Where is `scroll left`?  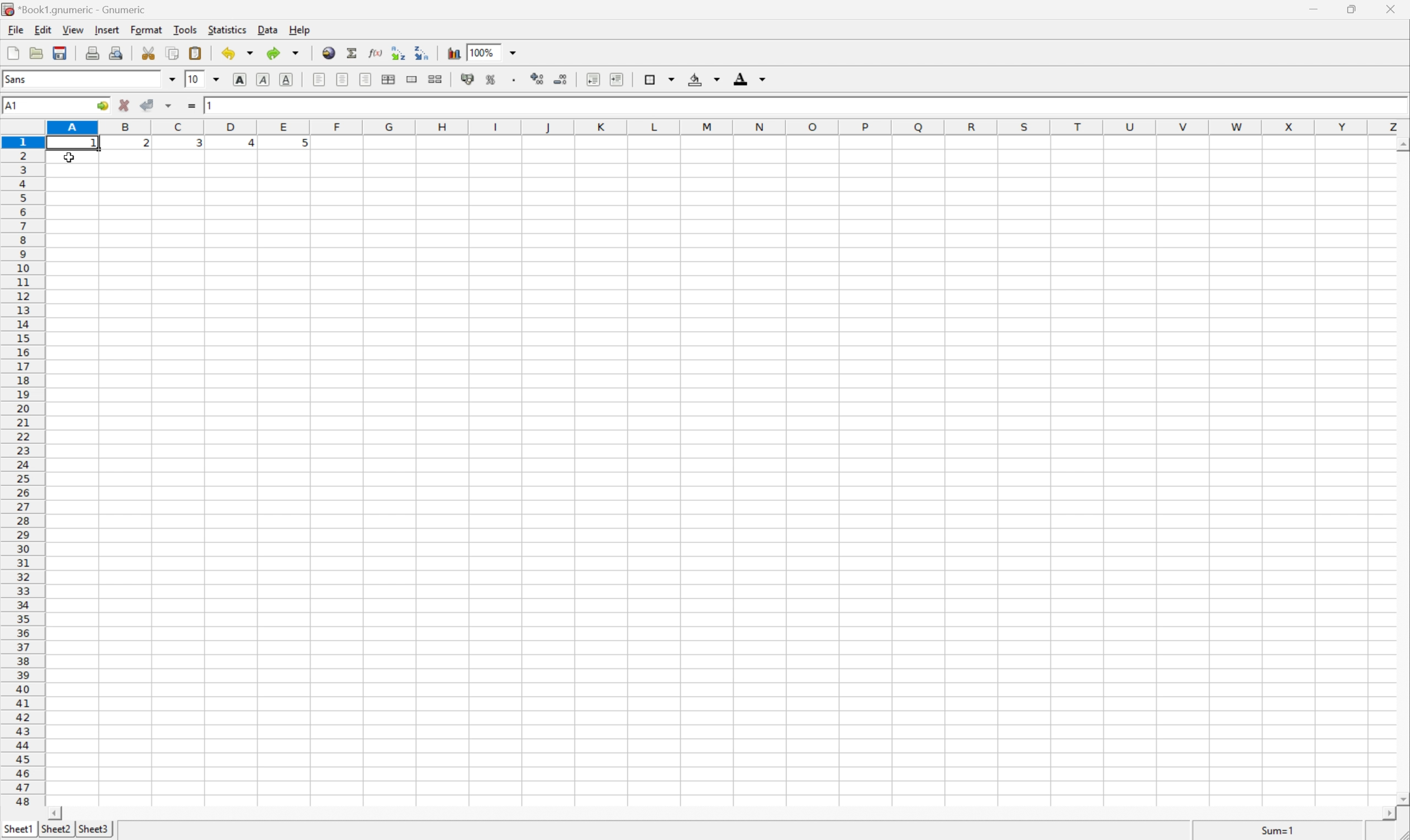 scroll left is located at coordinates (58, 813).